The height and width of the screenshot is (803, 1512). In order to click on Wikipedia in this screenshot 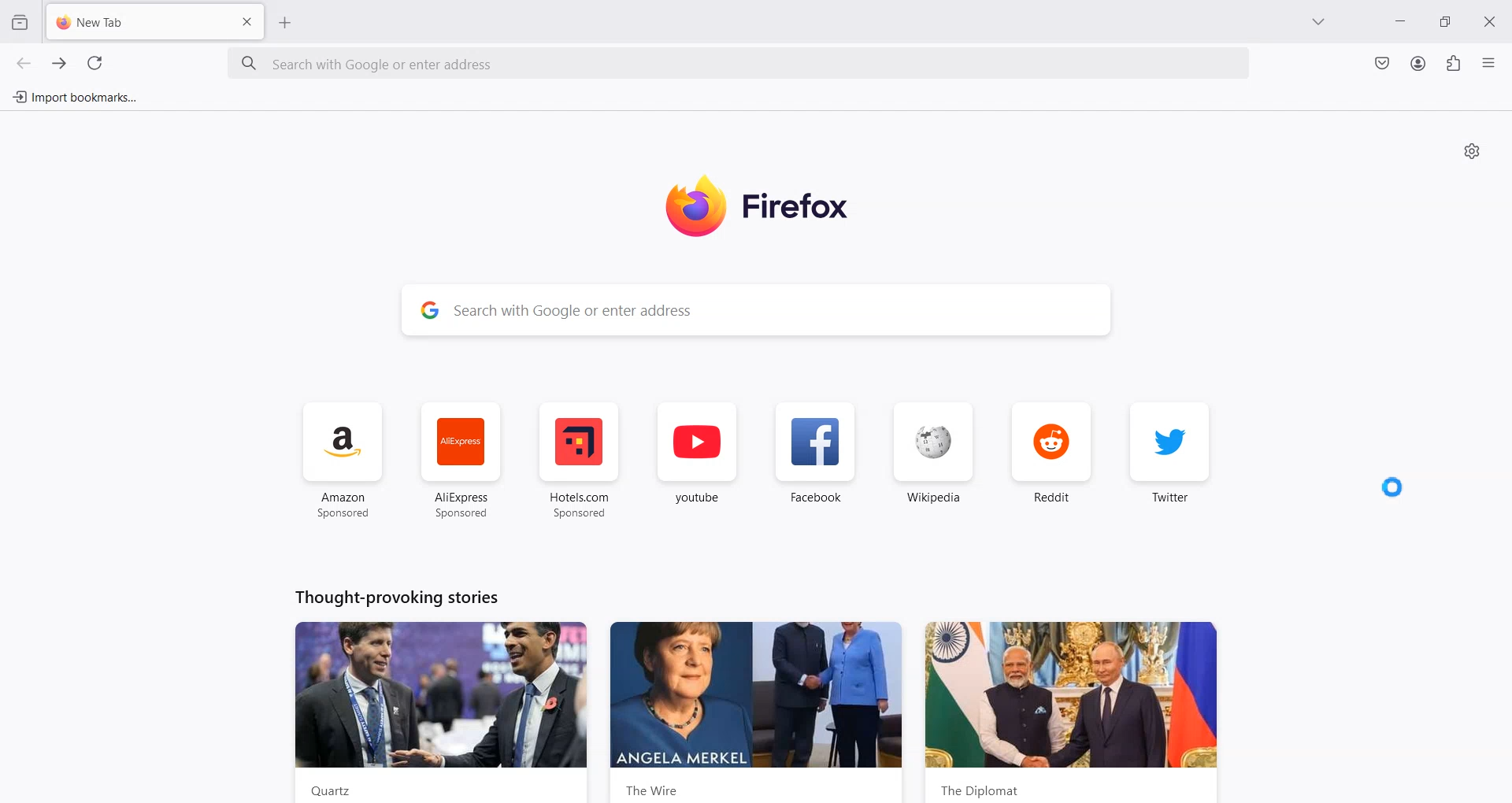, I will do `click(932, 460)`.